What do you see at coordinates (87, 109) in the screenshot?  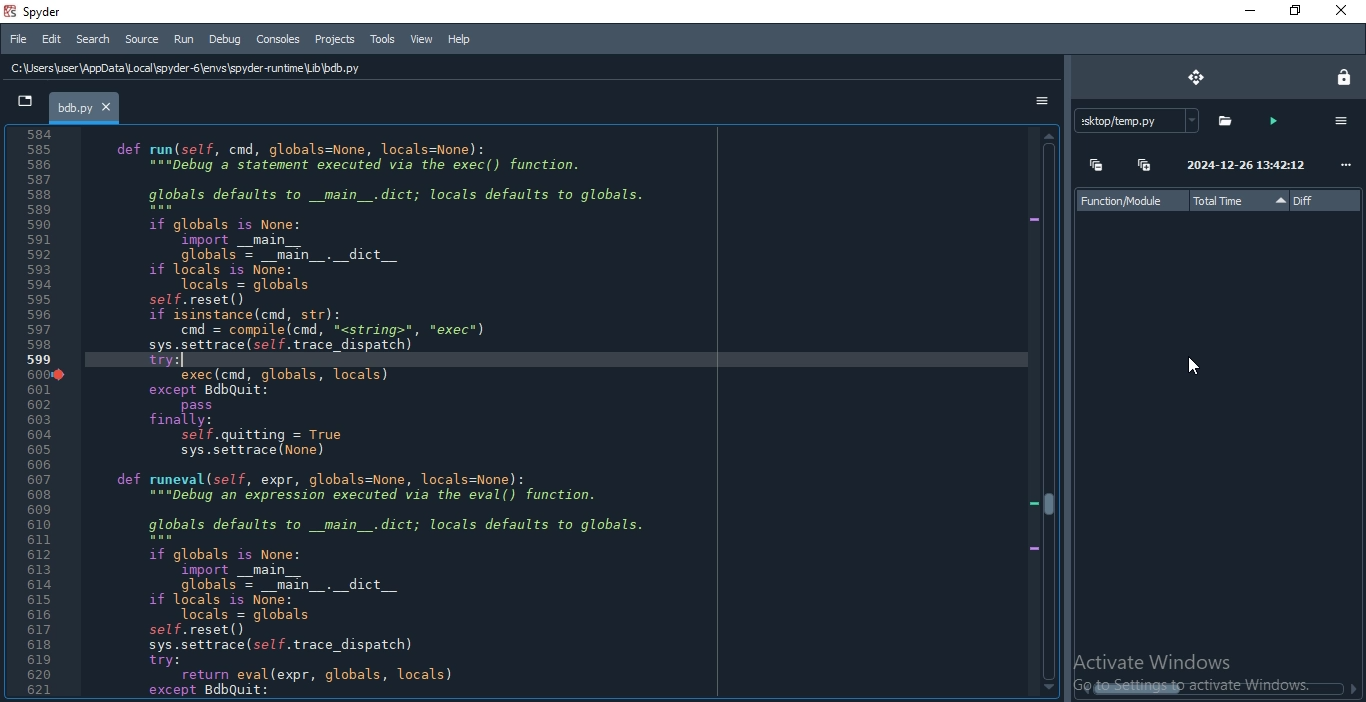 I see `bdb.py` at bounding box center [87, 109].